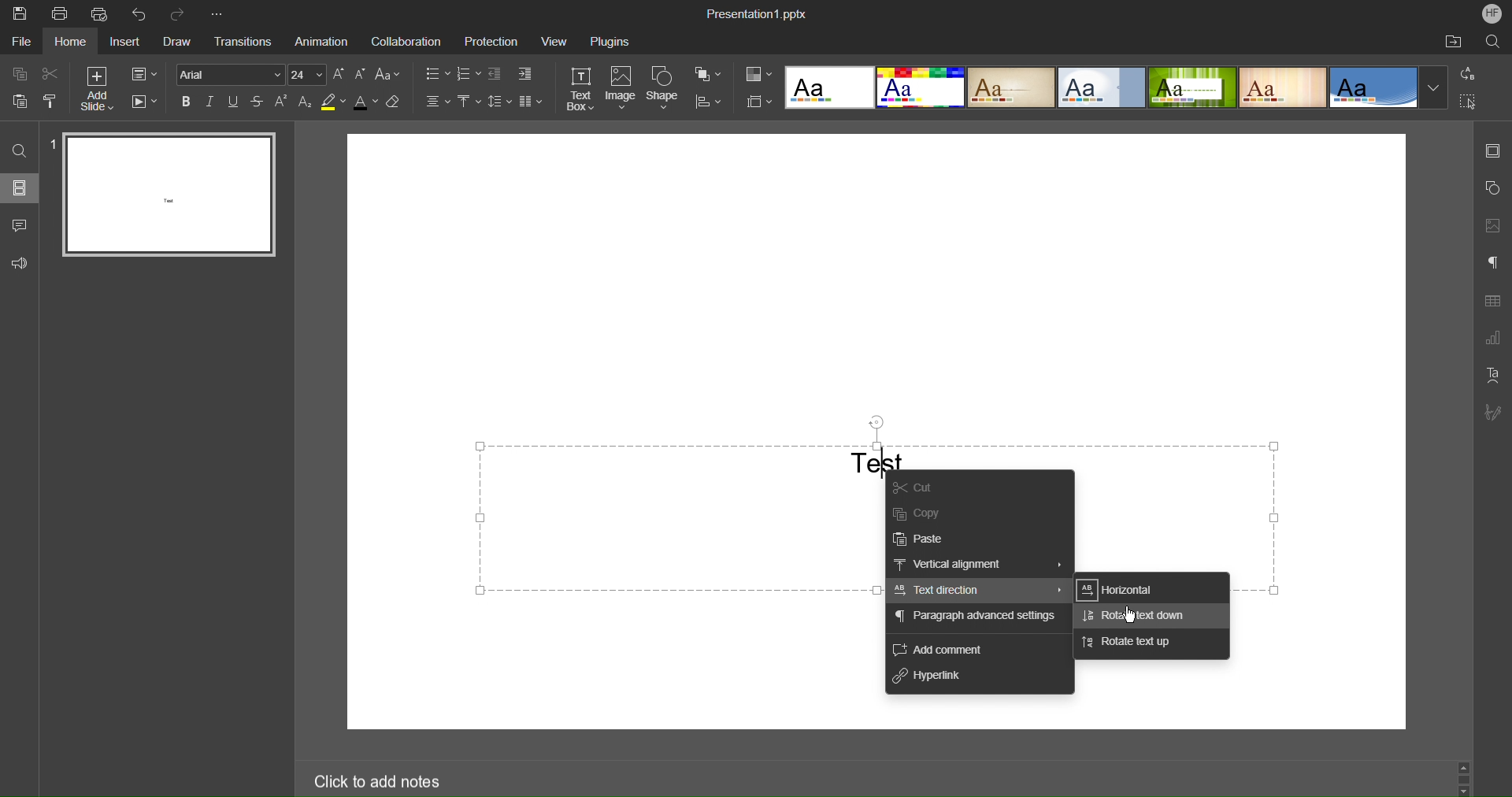 This screenshot has width=1512, height=797. What do you see at coordinates (142, 13) in the screenshot?
I see `Undo` at bounding box center [142, 13].